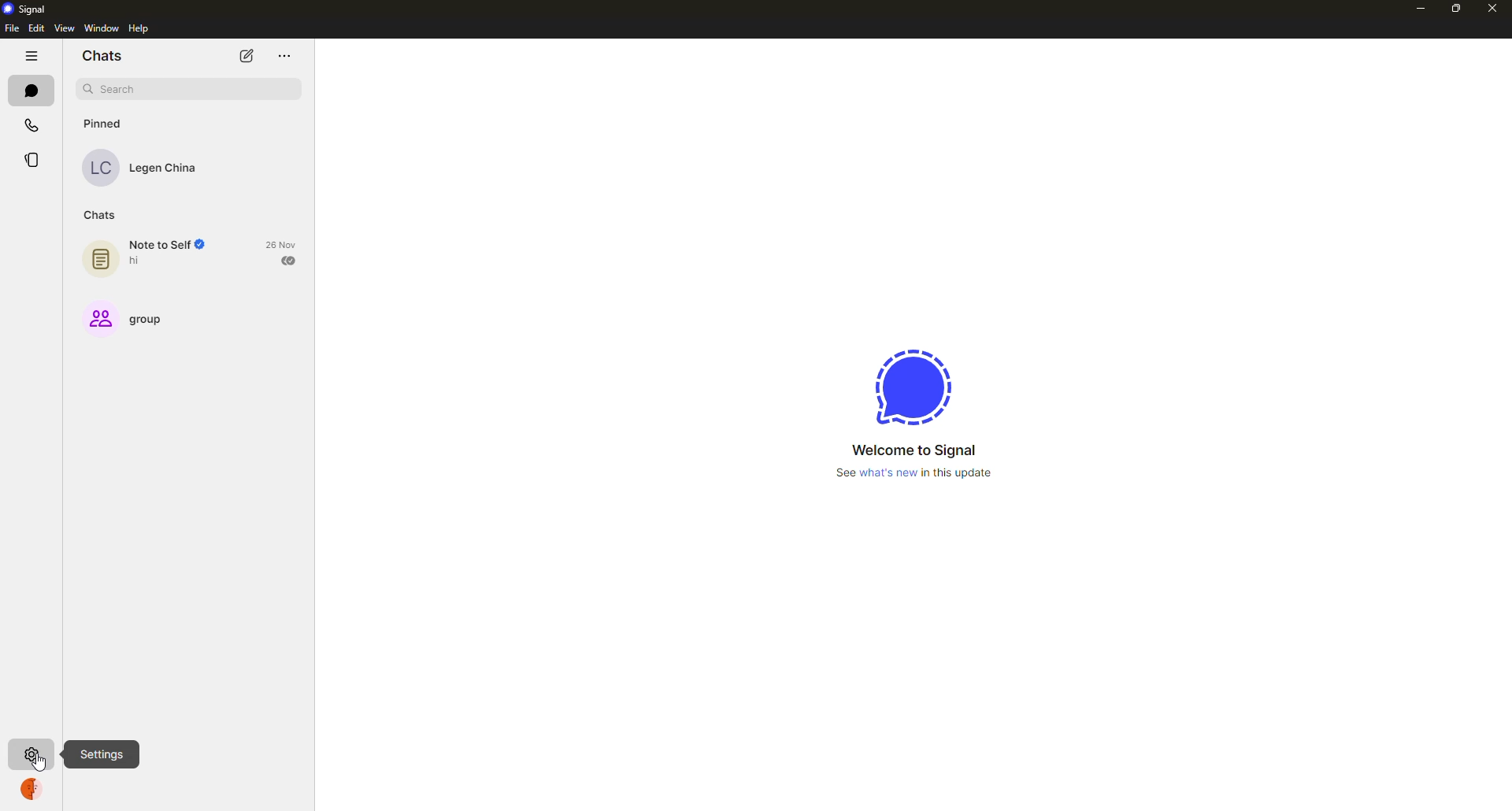  Describe the element at coordinates (102, 256) in the screenshot. I see `note` at that location.